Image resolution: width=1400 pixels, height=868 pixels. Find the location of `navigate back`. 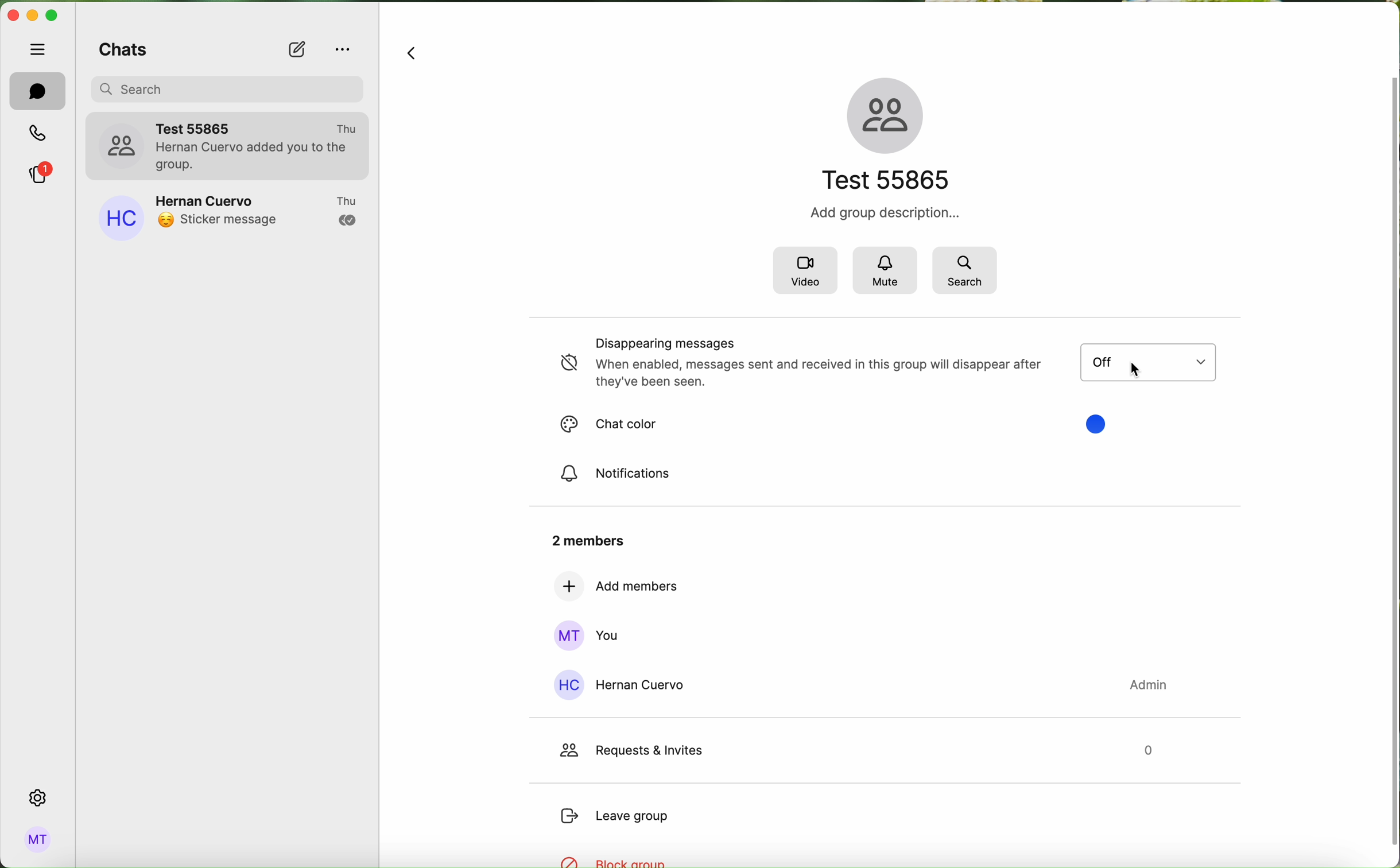

navigate back is located at coordinates (413, 52).